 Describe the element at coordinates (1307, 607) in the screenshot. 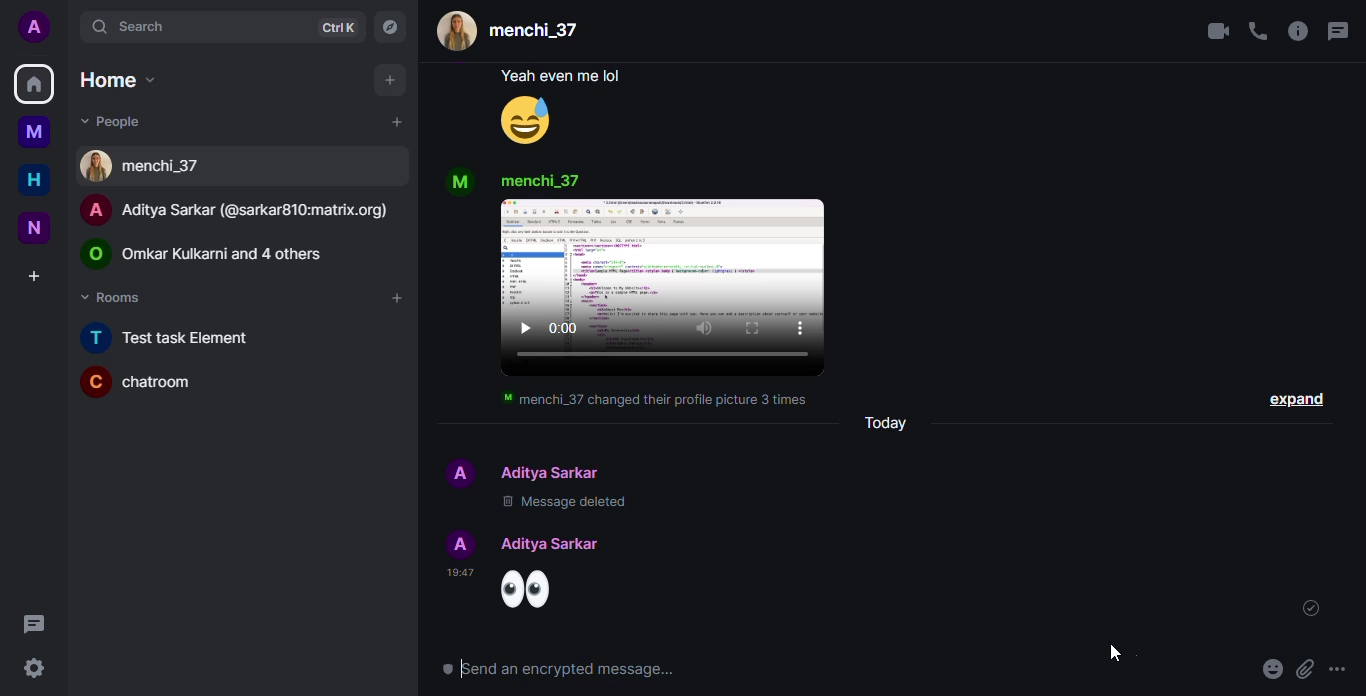

I see `verify` at that location.